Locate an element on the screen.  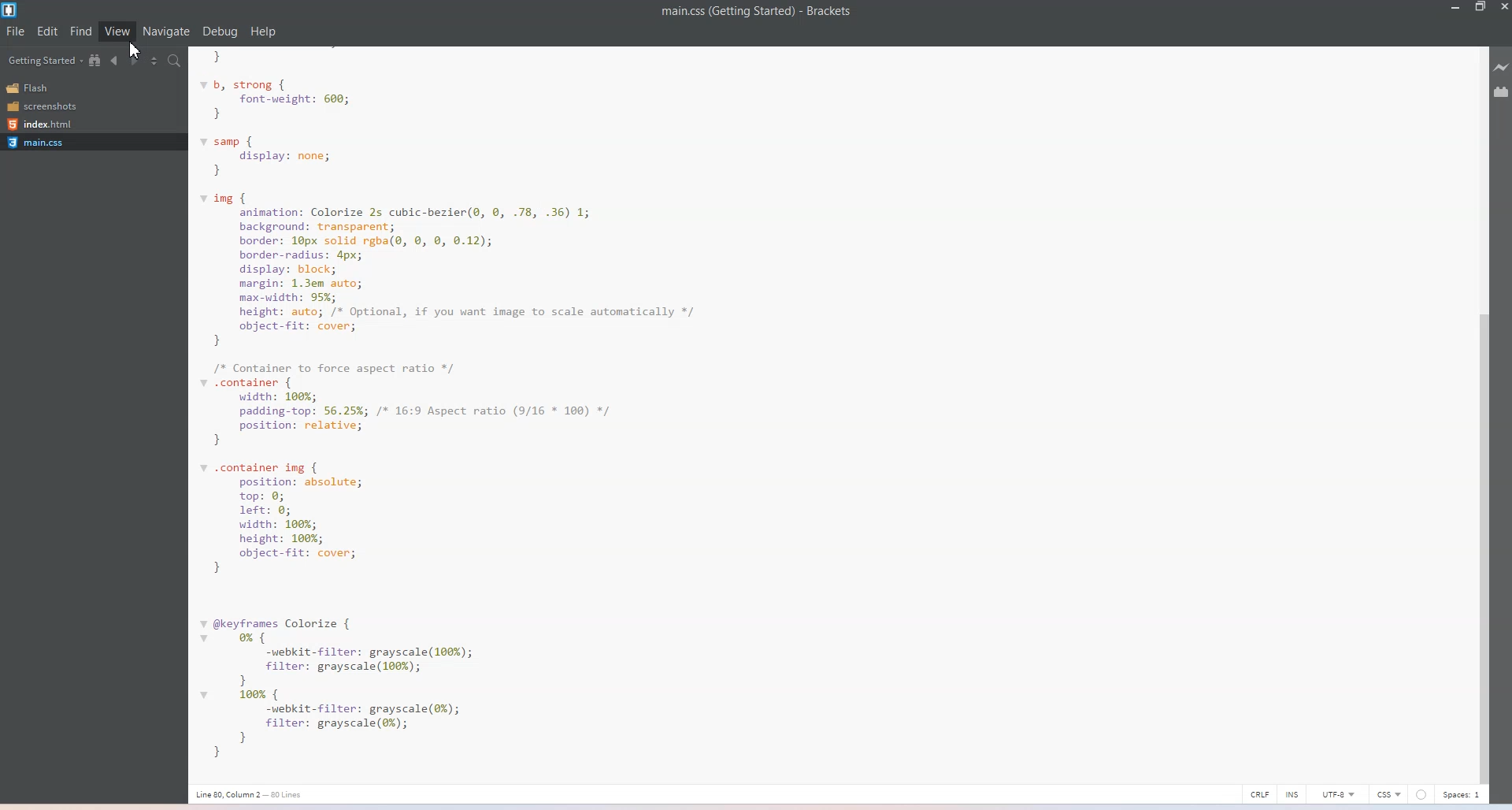
Navigate is located at coordinates (167, 32).